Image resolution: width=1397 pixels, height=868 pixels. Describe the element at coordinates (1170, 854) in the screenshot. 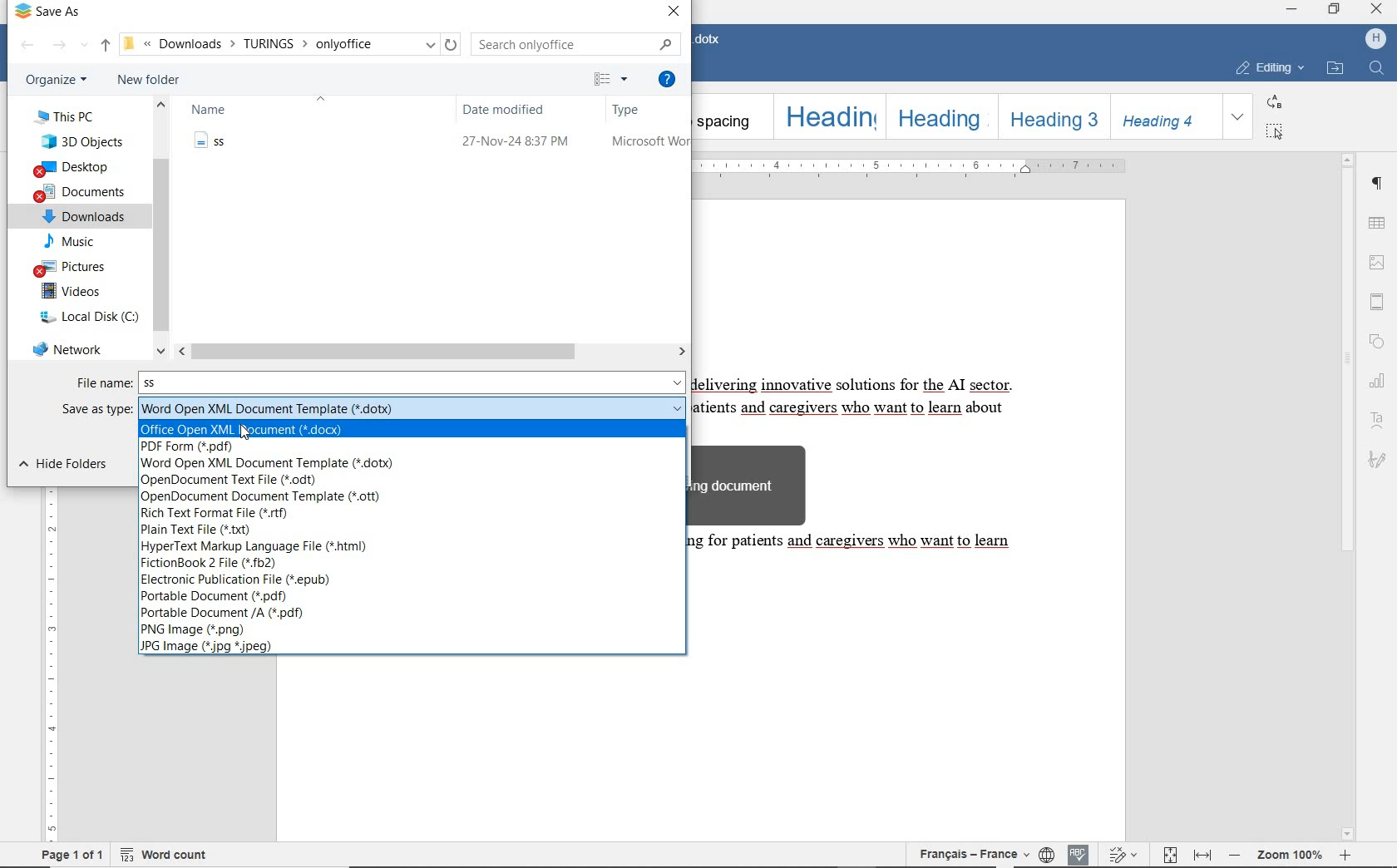

I see `FIT TO PAGE` at that location.